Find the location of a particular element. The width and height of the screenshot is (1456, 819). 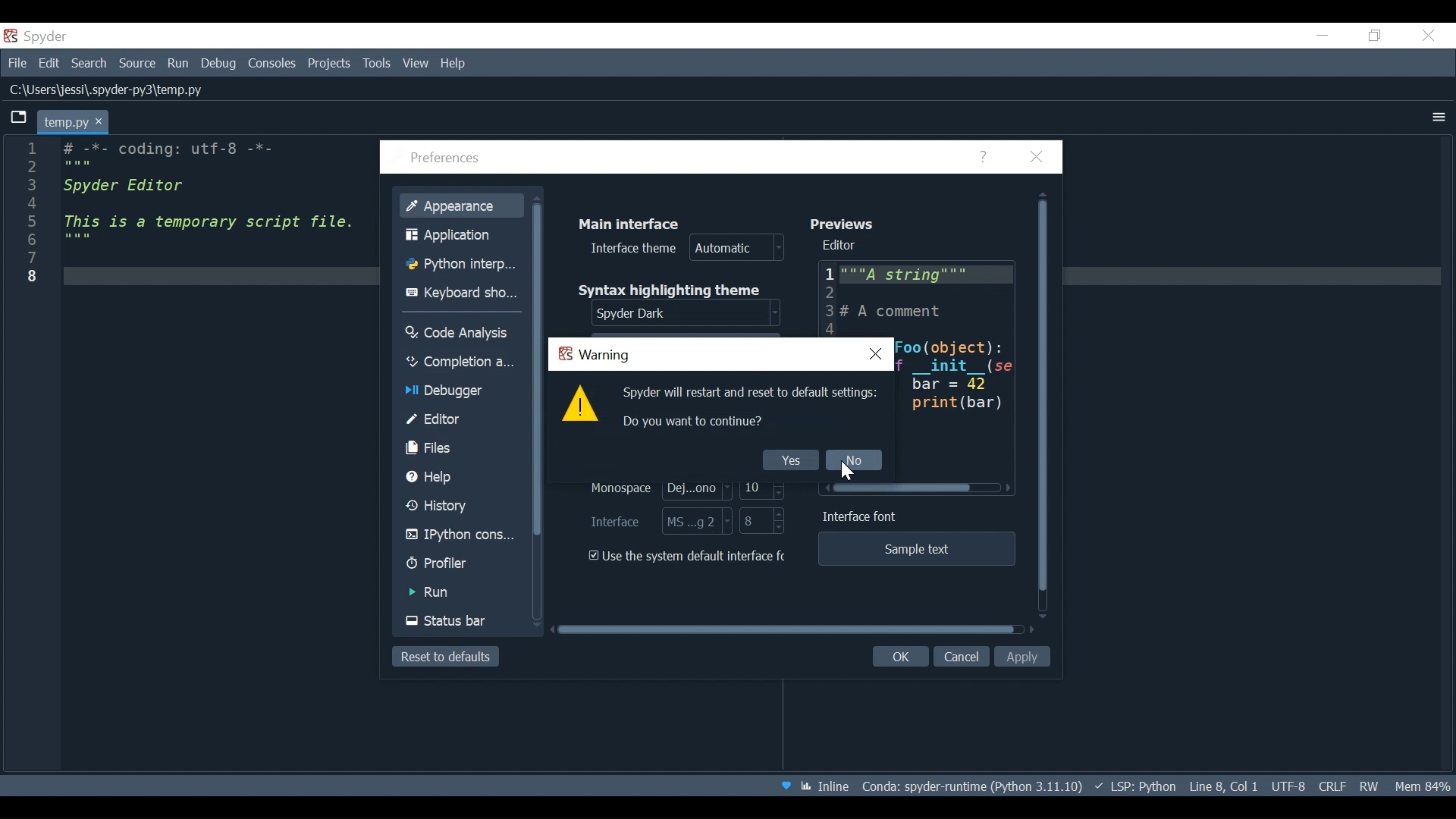

Syntax highlighting theme is located at coordinates (679, 290).